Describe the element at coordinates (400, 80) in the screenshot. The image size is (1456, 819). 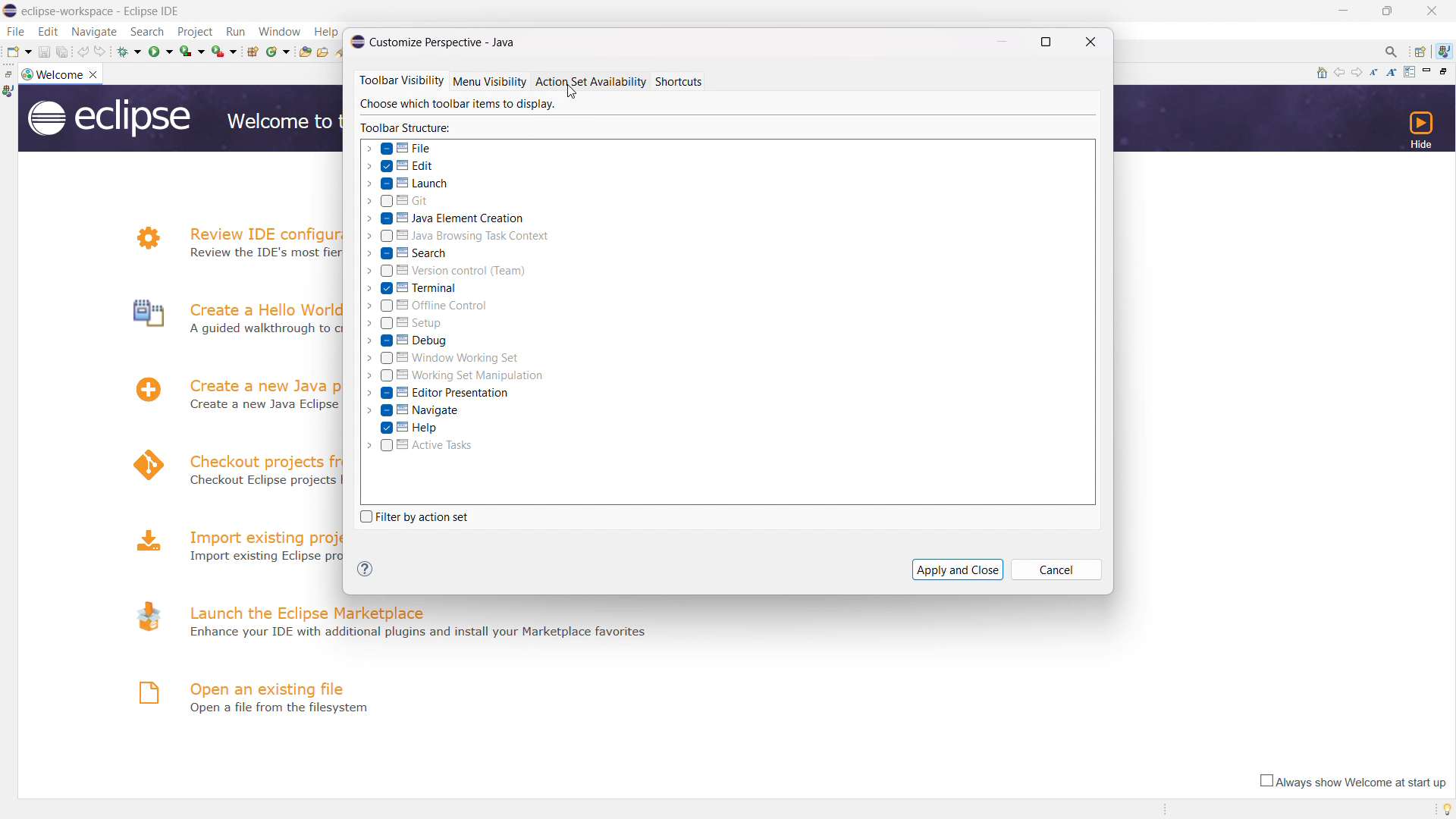
I see `toolbar visibility` at that location.